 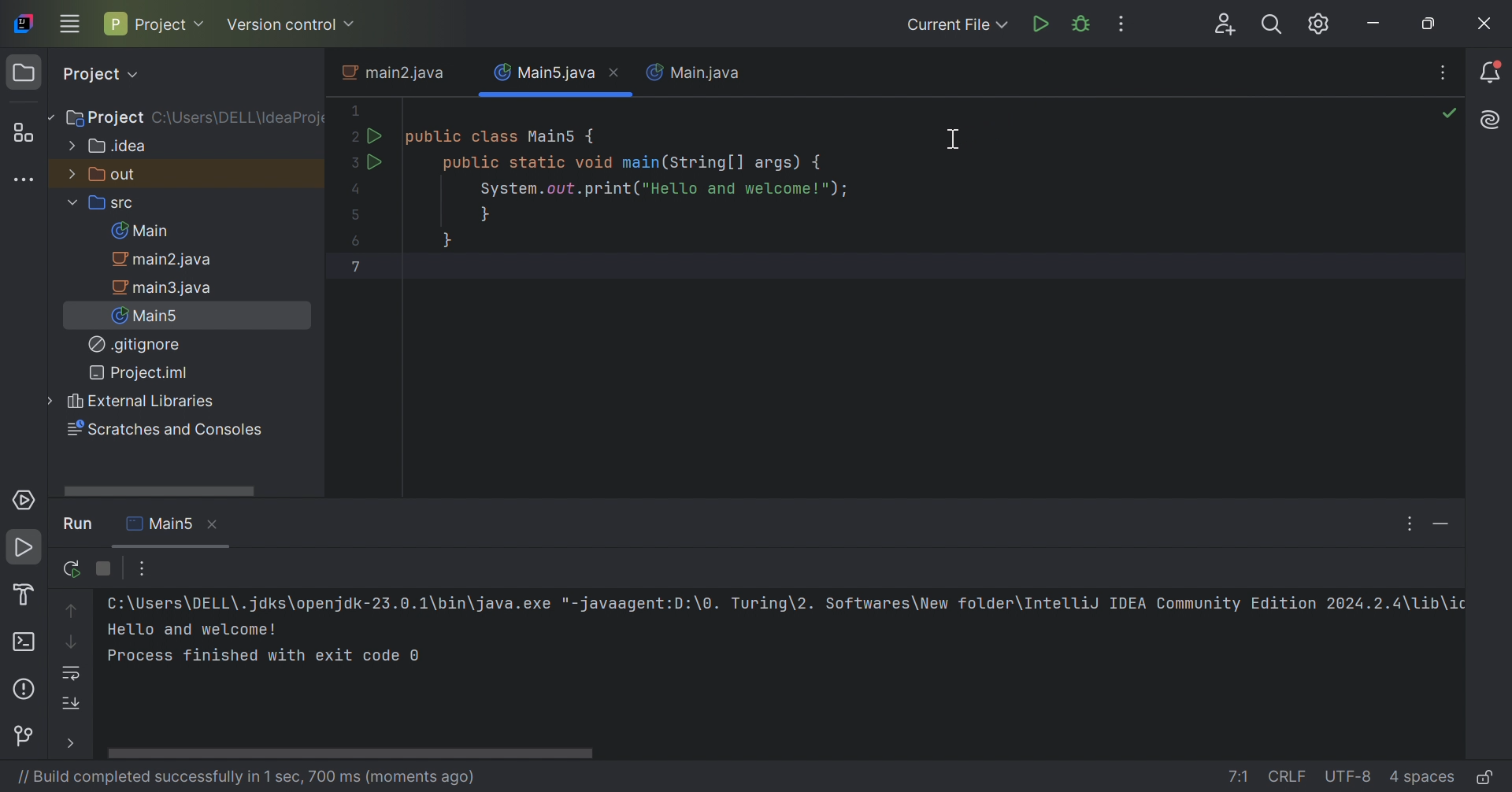 What do you see at coordinates (1125, 24) in the screenshot?
I see `More Actions` at bounding box center [1125, 24].